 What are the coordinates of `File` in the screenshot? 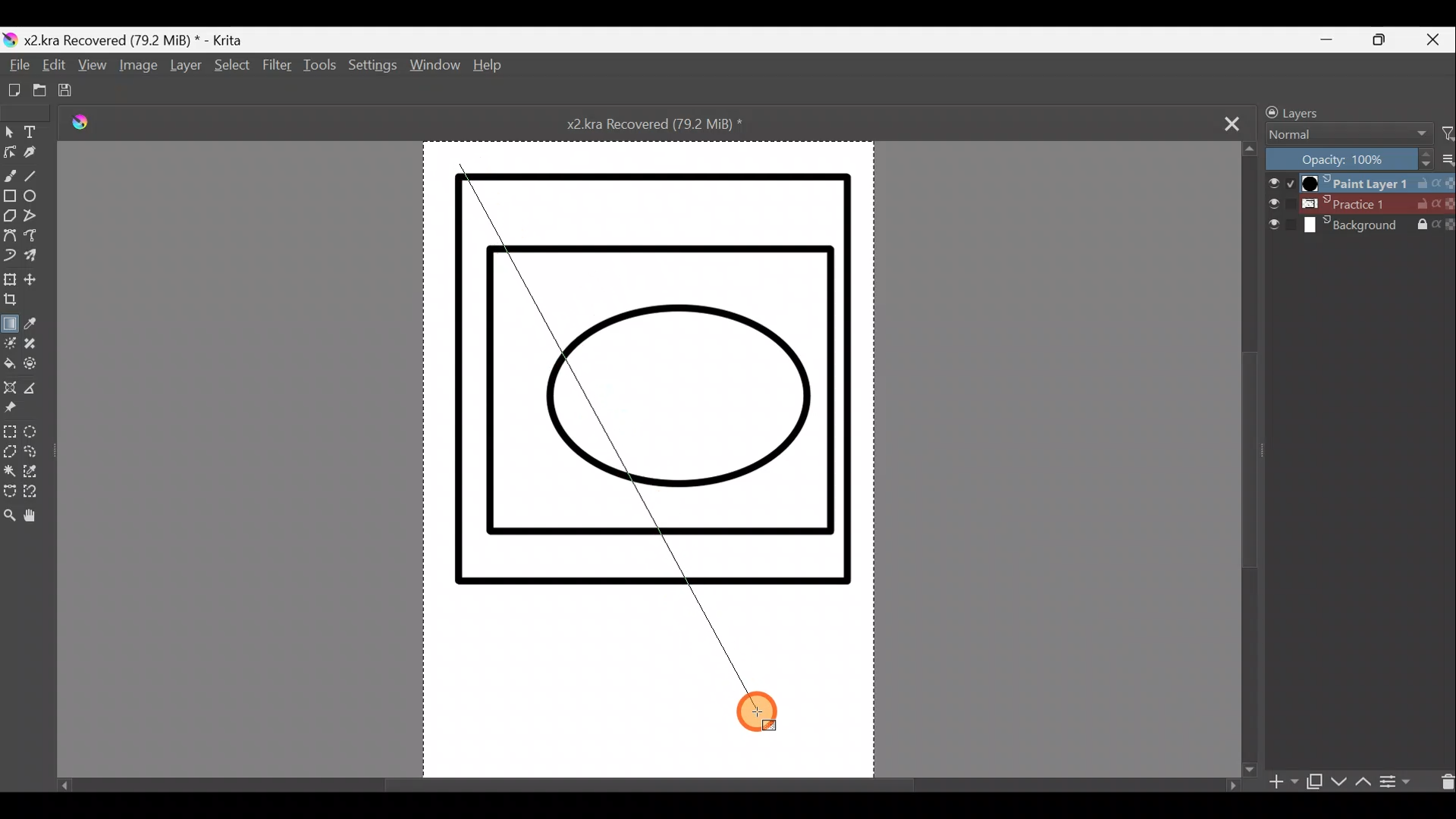 It's located at (17, 66).